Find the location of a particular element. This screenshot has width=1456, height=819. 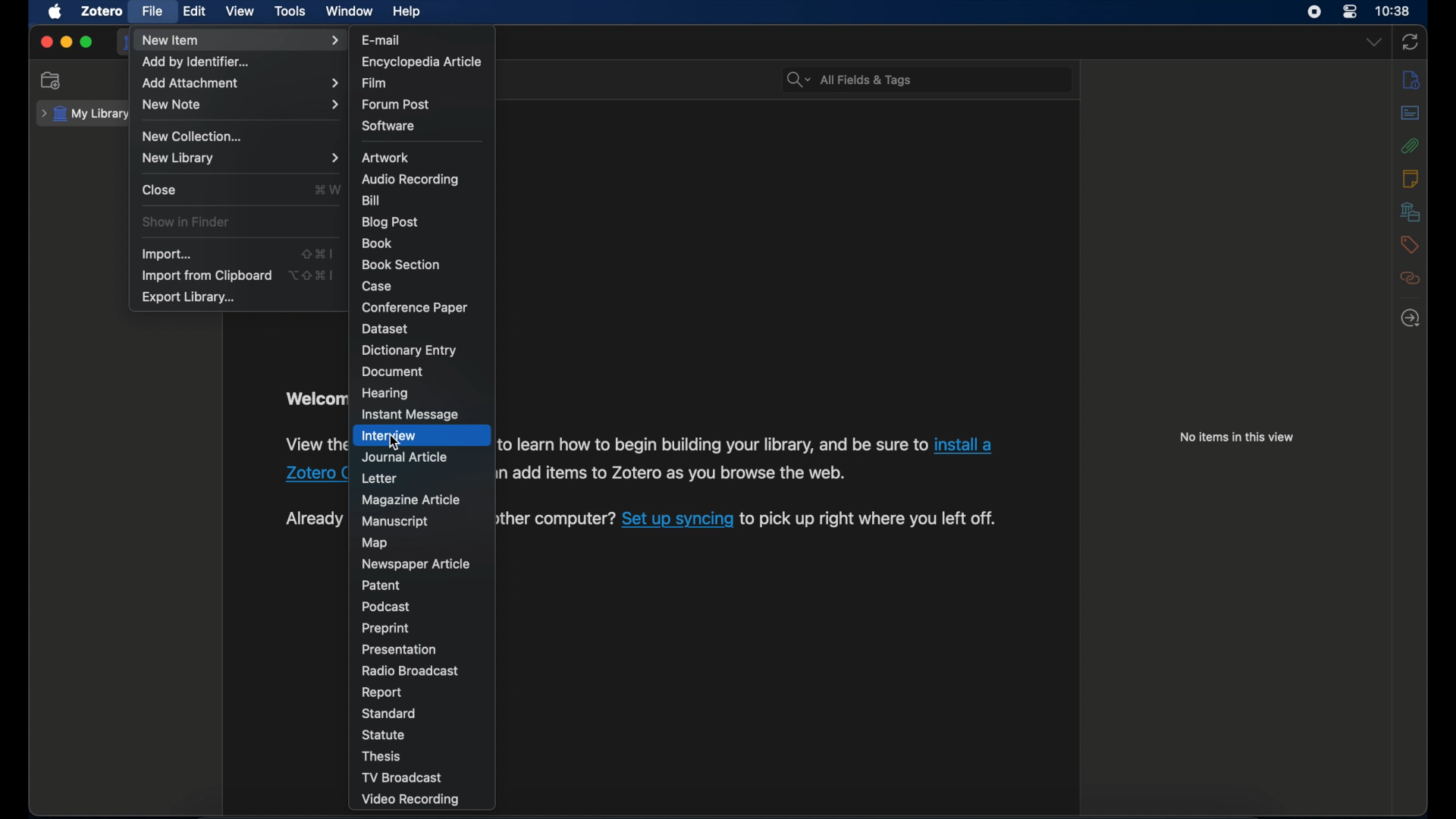

case is located at coordinates (379, 287).